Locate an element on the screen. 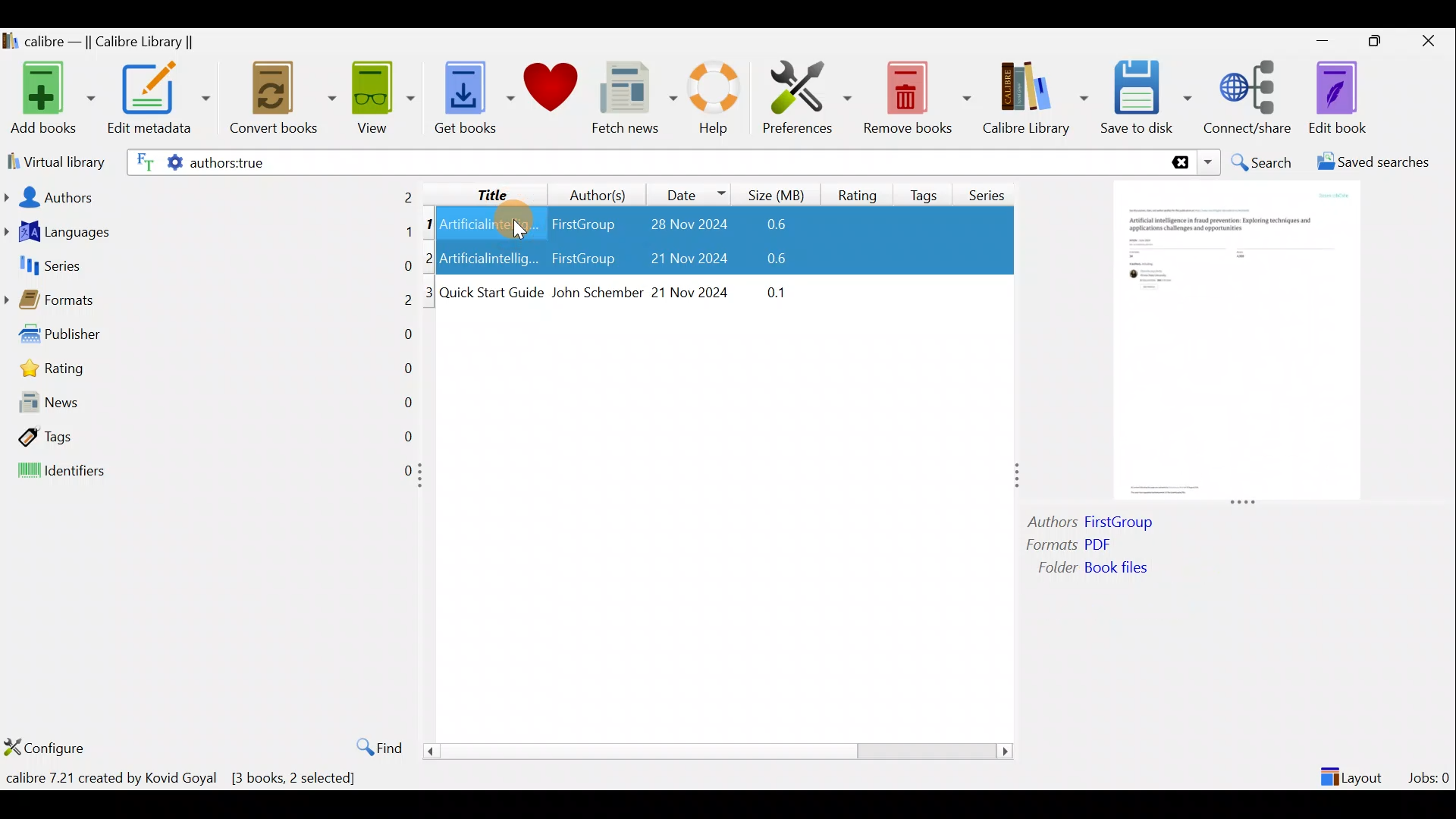 The image size is (1456, 819). Authors: FirstGroup is located at coordinates (1095, 524).